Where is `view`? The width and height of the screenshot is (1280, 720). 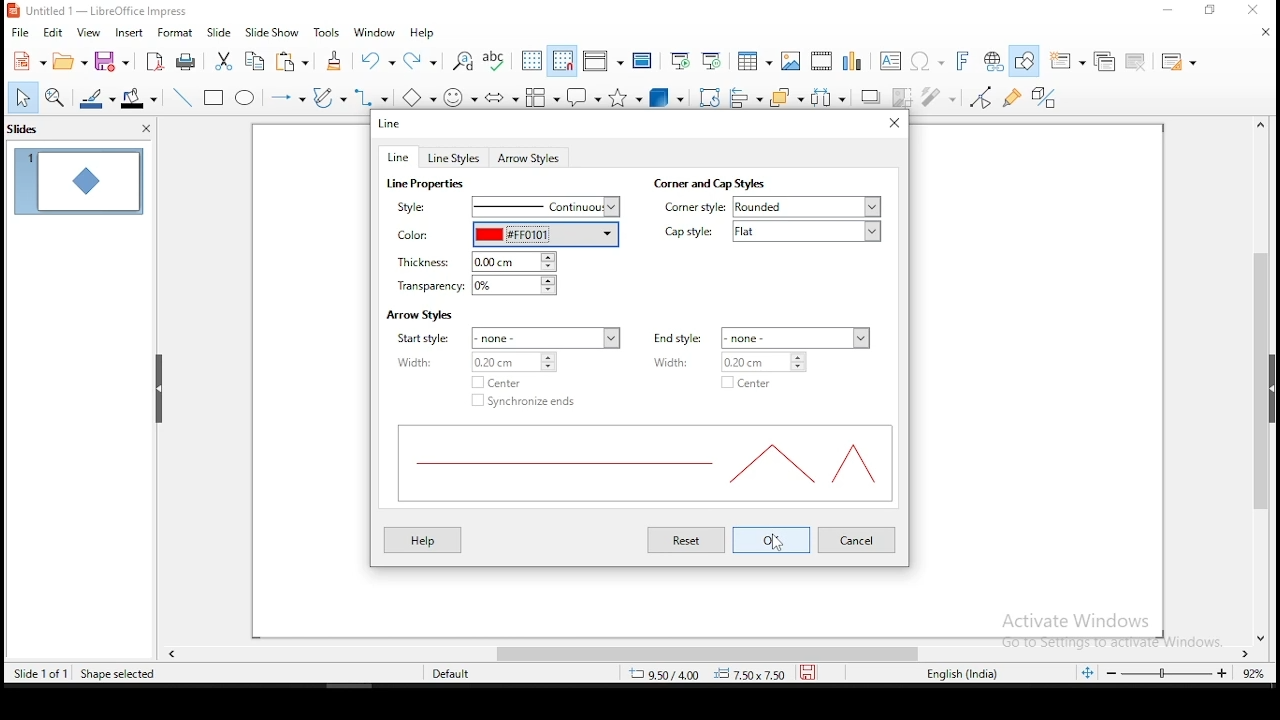
view is located at coordinates (87, 32).